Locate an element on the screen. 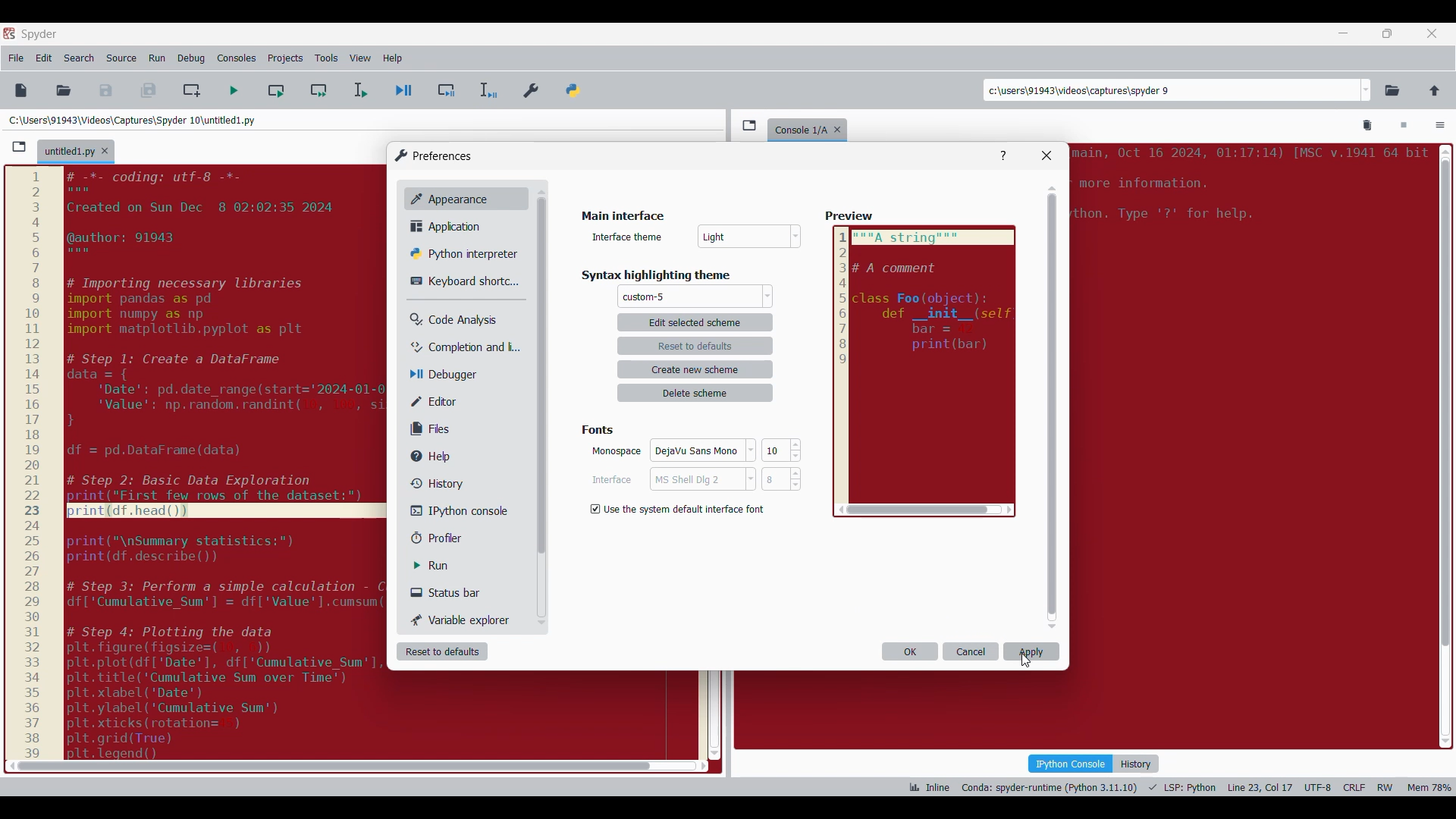 Image resolution: width=1456 pixels, height=819 pixels. Show in smaller tab is located at coordinates (1387, 33).